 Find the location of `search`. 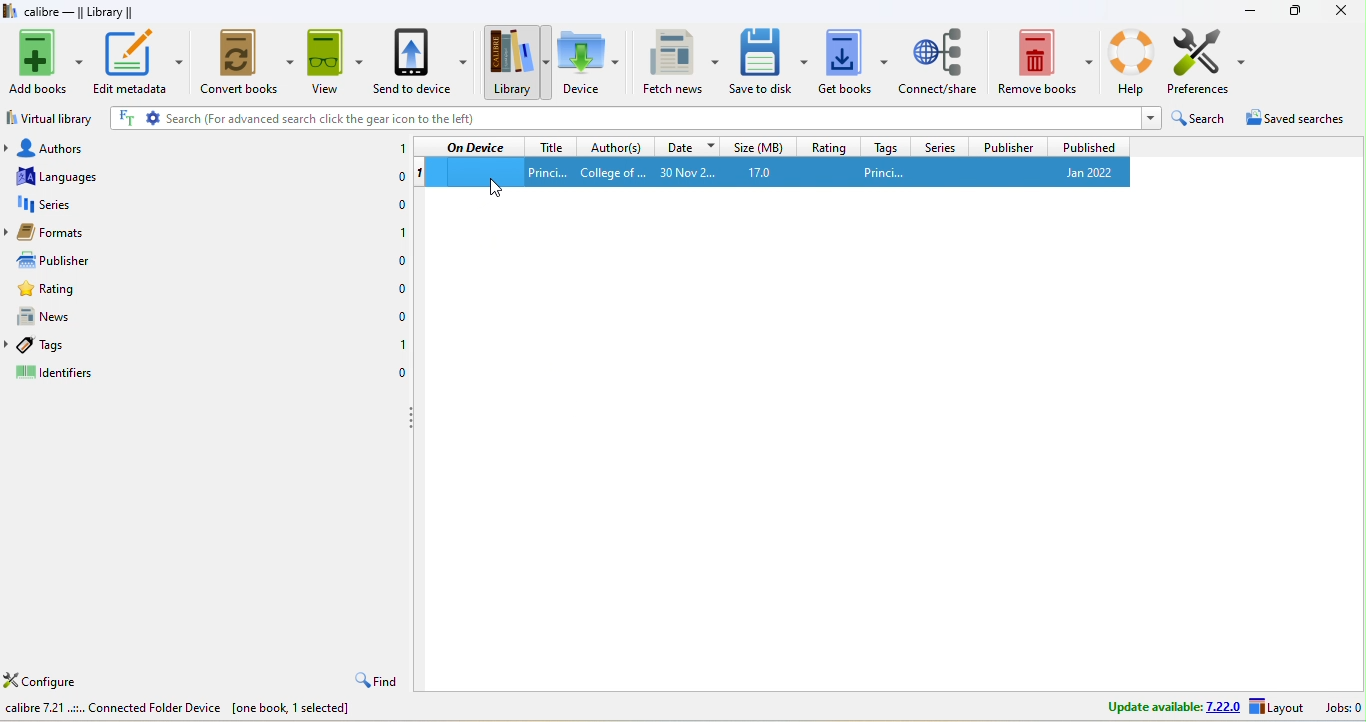

search is located at coordinates (1200, 121).